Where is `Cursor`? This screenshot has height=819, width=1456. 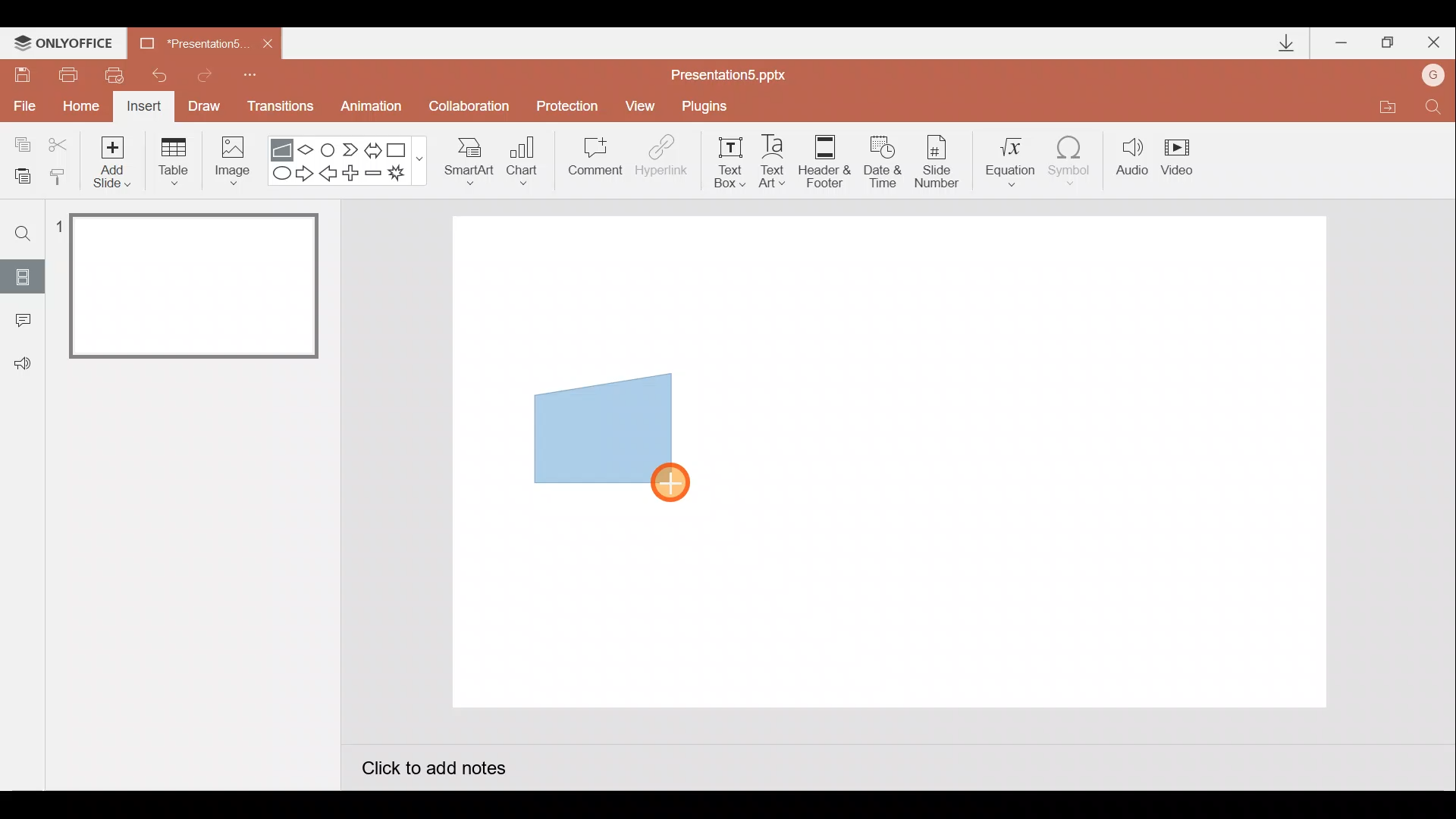
Cursor is located at coordinates (670, 480).